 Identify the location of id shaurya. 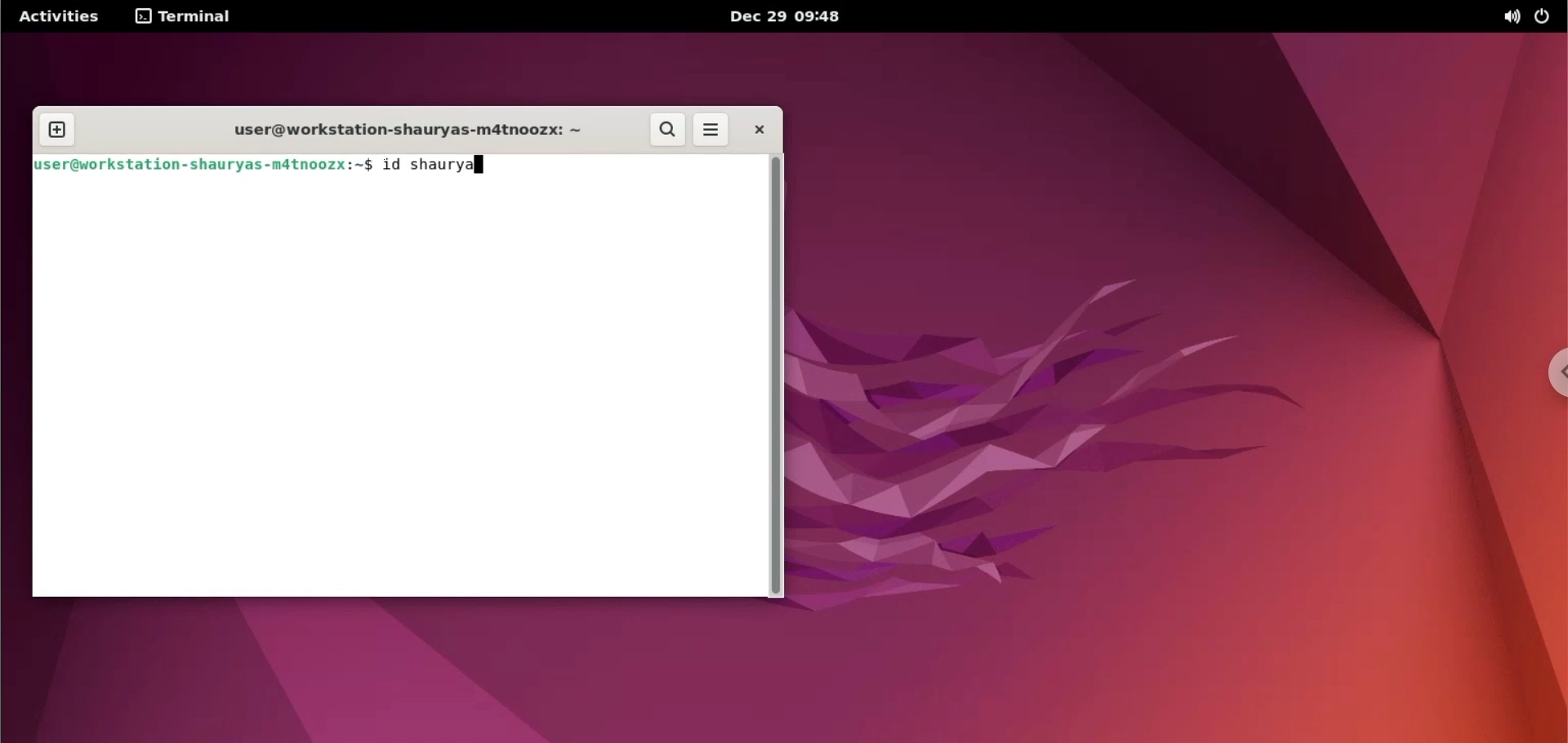
(423, 165).